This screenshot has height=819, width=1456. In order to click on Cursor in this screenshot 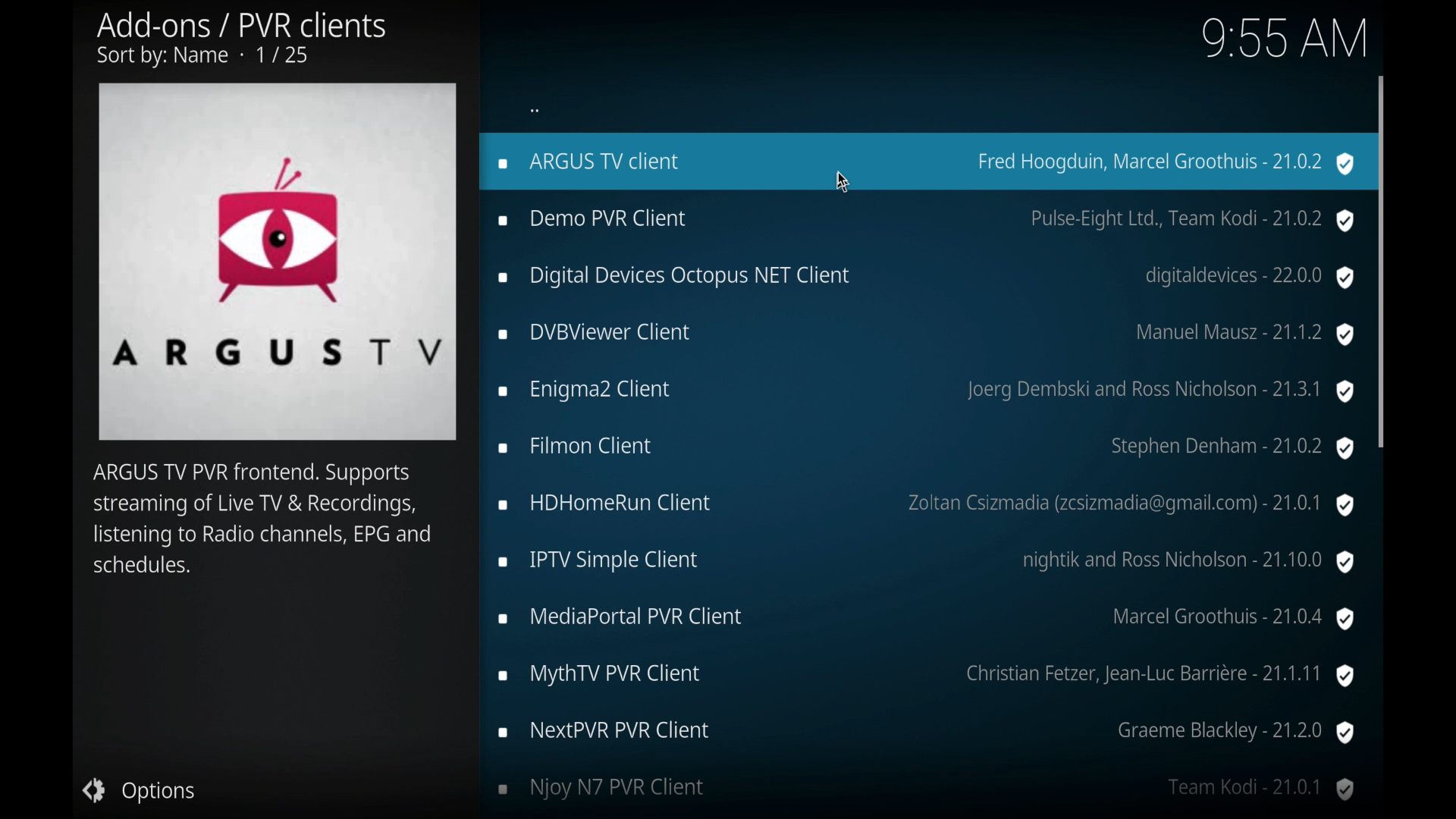, I will do `click(845, 177)`.